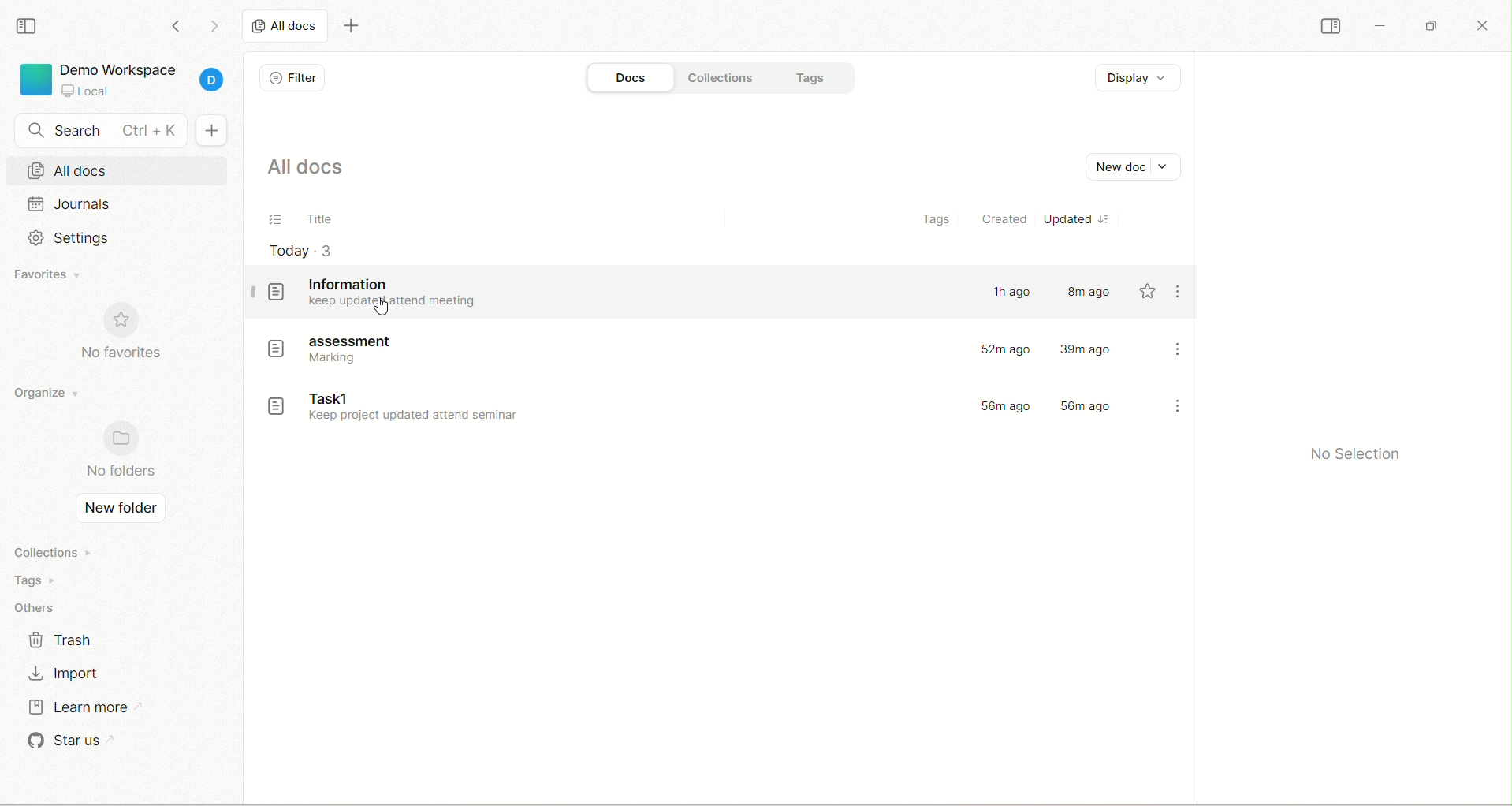 This screenshot has width=1512, height=806. Describe the element at coordinates (120, 174) in the screenshot. I see `all docs` at that location.